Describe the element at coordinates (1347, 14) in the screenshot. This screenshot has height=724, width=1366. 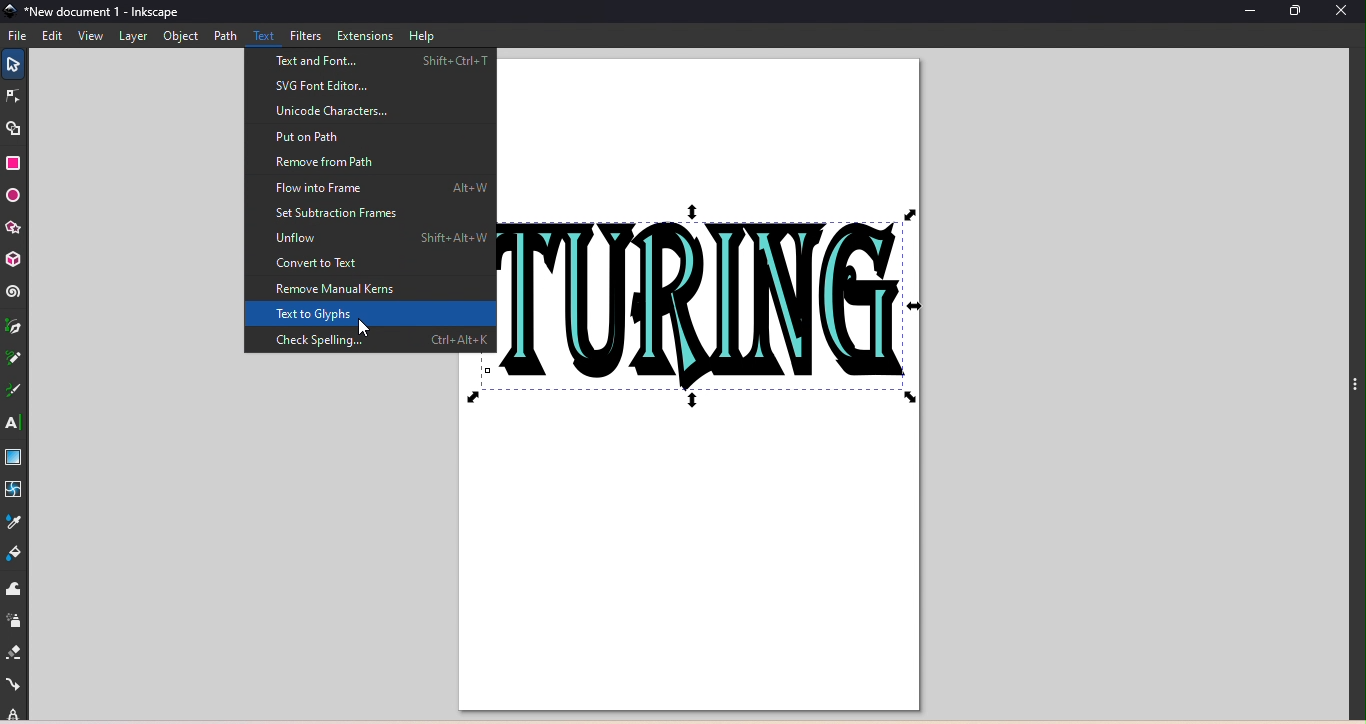
I see `Close` at that location.